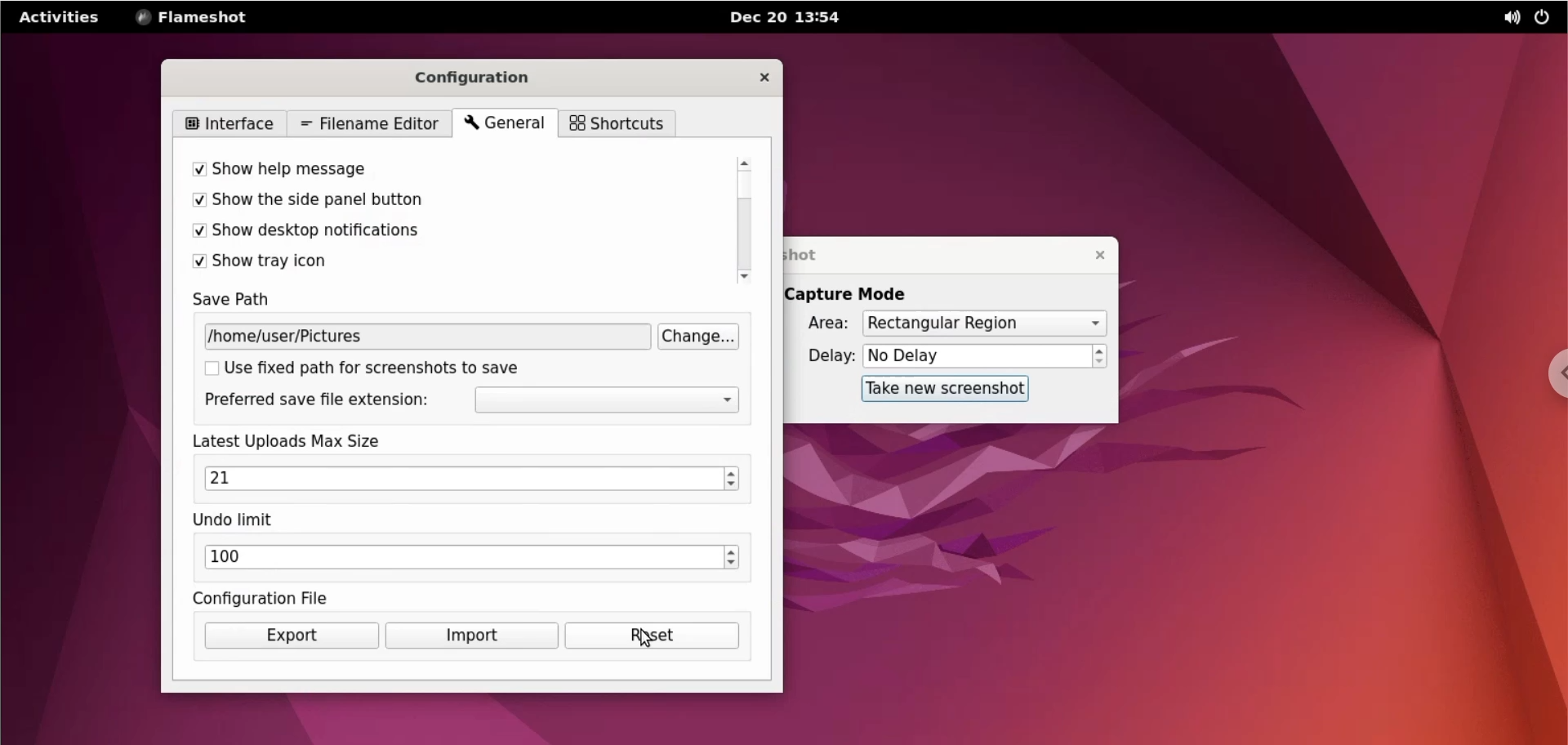 The width and height of the screenshot is (1568, 745). Describe the element at coordinates (244, 300) in the screenshot. I see `save path` at that location.